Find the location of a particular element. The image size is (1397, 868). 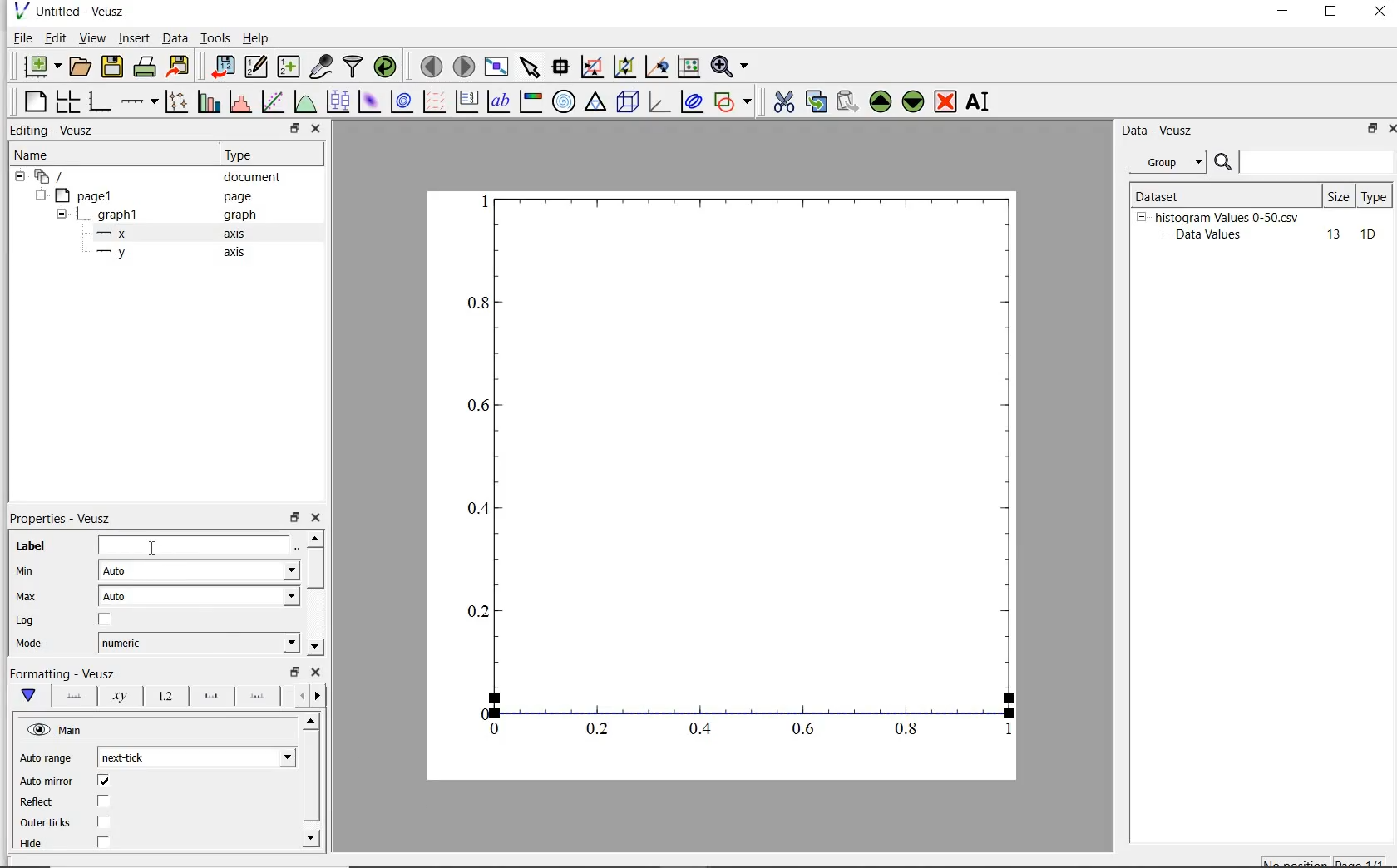

click or draw a rectangle to zoom on graph axes is located at coordinates (624, 67).